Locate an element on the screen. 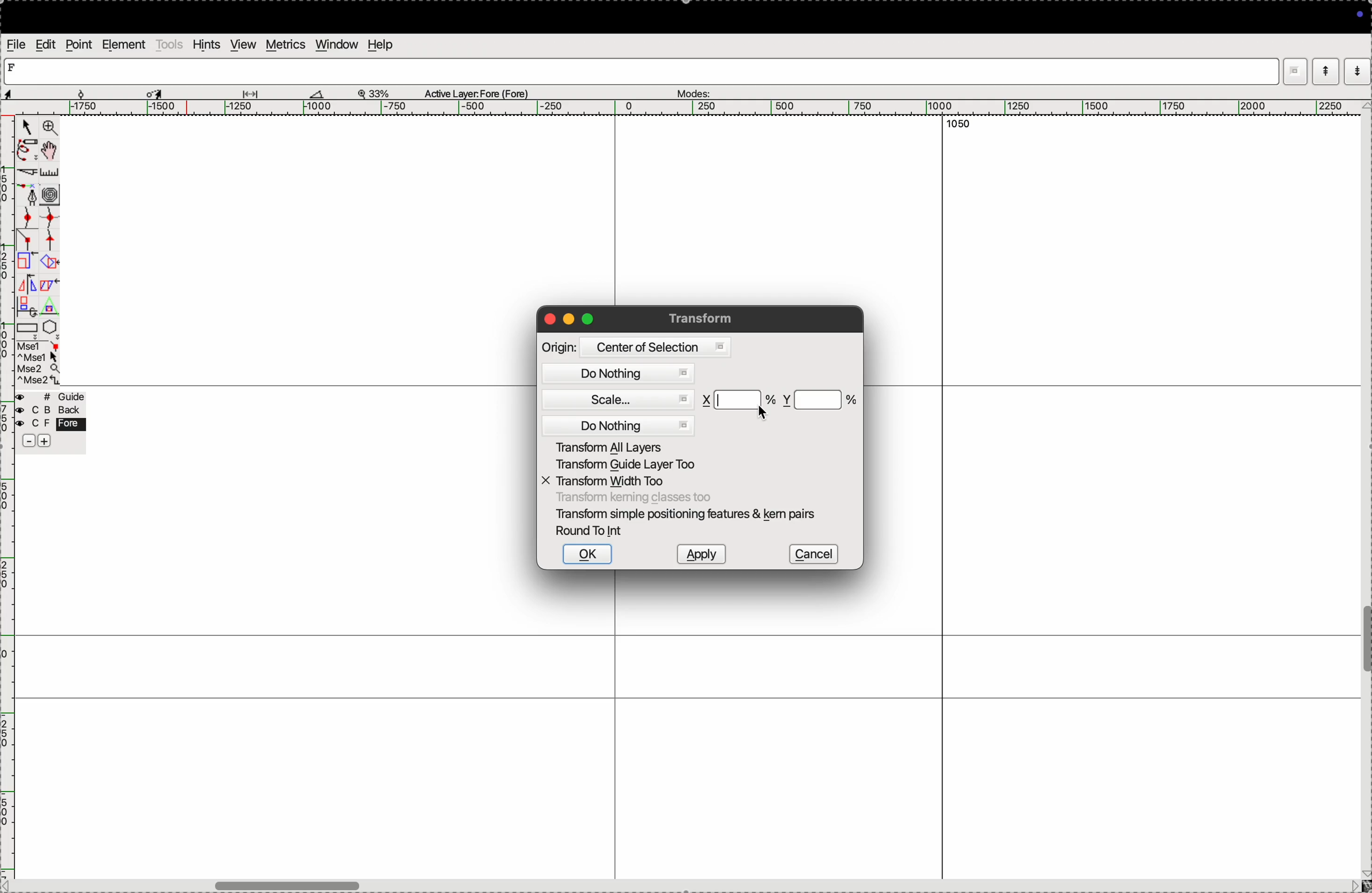 This screenshot has width=1372, height=893. maximize is located at coordinates (587, 318).